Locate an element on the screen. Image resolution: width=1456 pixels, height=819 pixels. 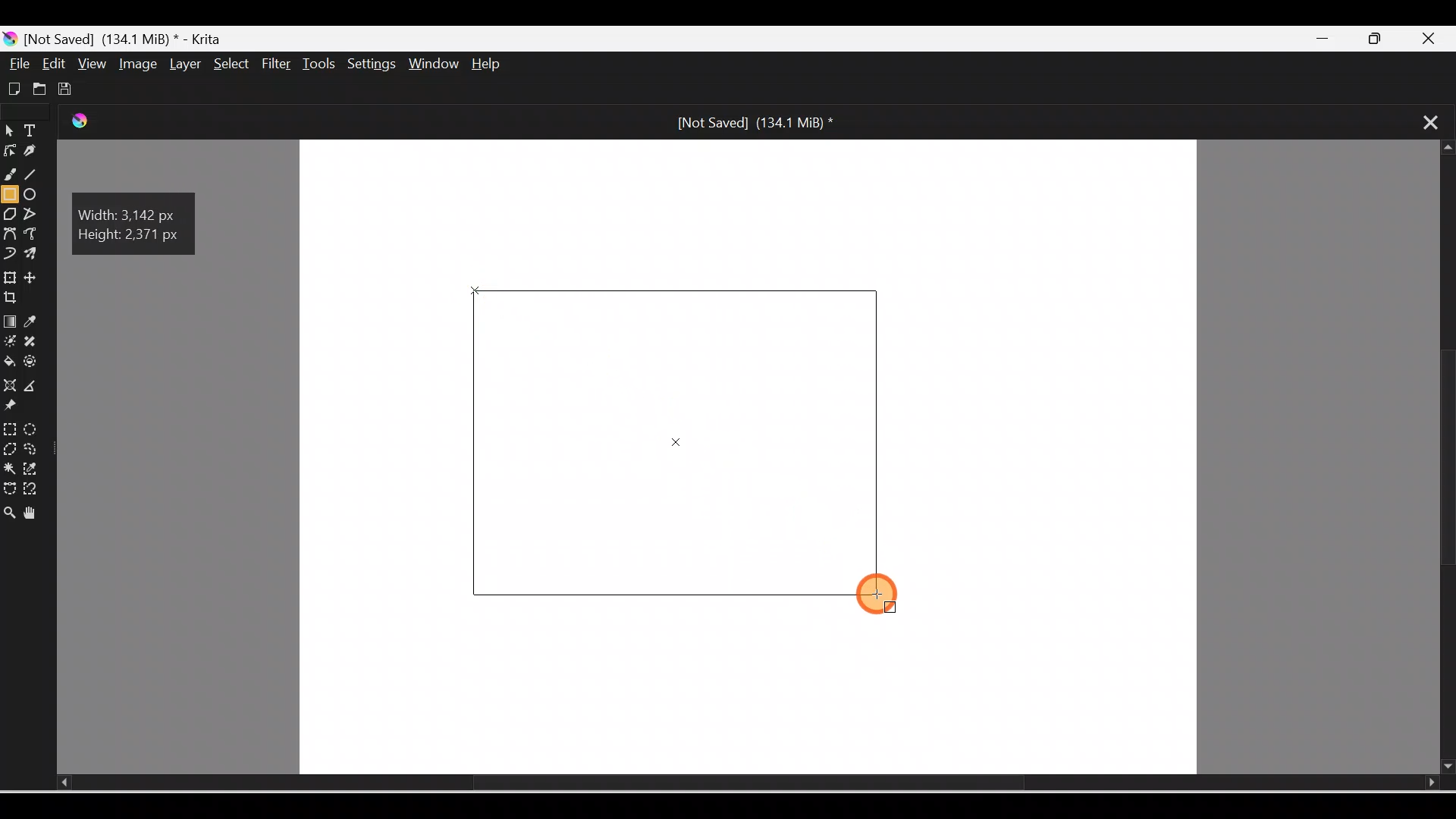
Line is located at coordinates (36, 177).